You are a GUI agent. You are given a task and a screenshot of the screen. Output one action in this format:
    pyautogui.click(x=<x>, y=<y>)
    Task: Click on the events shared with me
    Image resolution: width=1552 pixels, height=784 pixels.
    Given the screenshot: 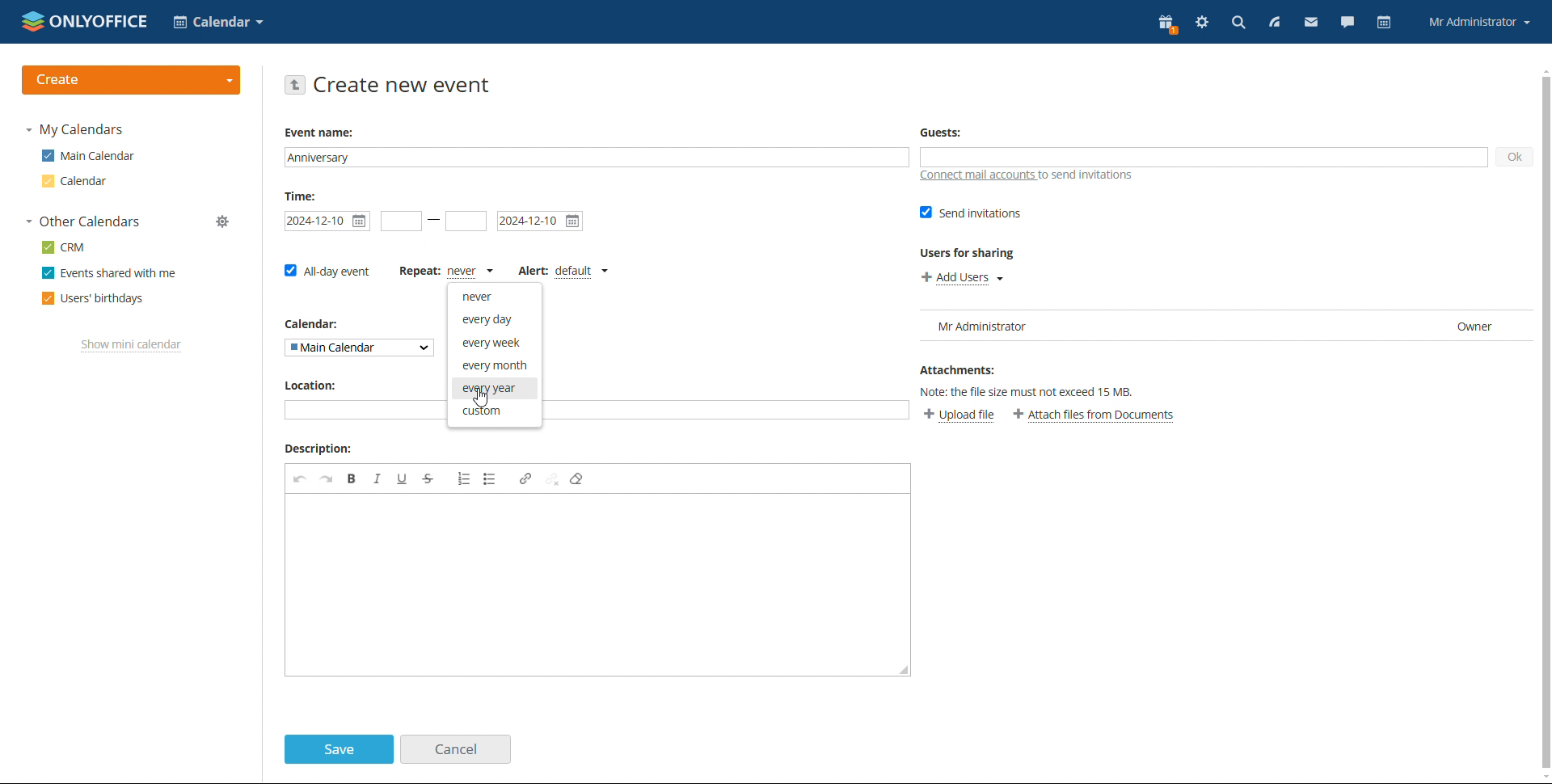 What is the action you would take?
    pyautogui.click(x=108, y=272)
    